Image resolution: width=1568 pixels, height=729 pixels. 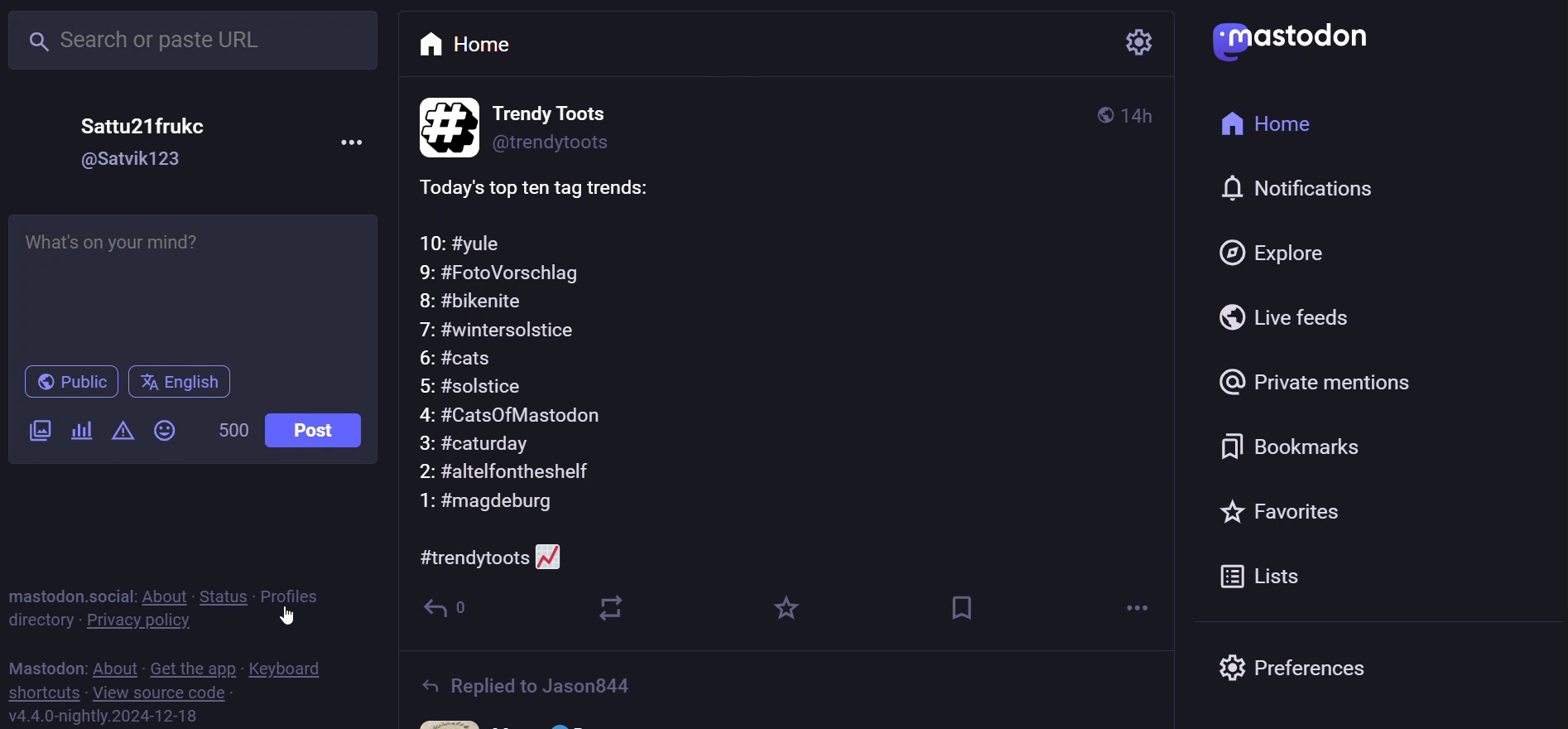 What do you see at coordinates (1315, 38) in the screenshot?
I see `Mastodon` at bounding box center [1315, 38].